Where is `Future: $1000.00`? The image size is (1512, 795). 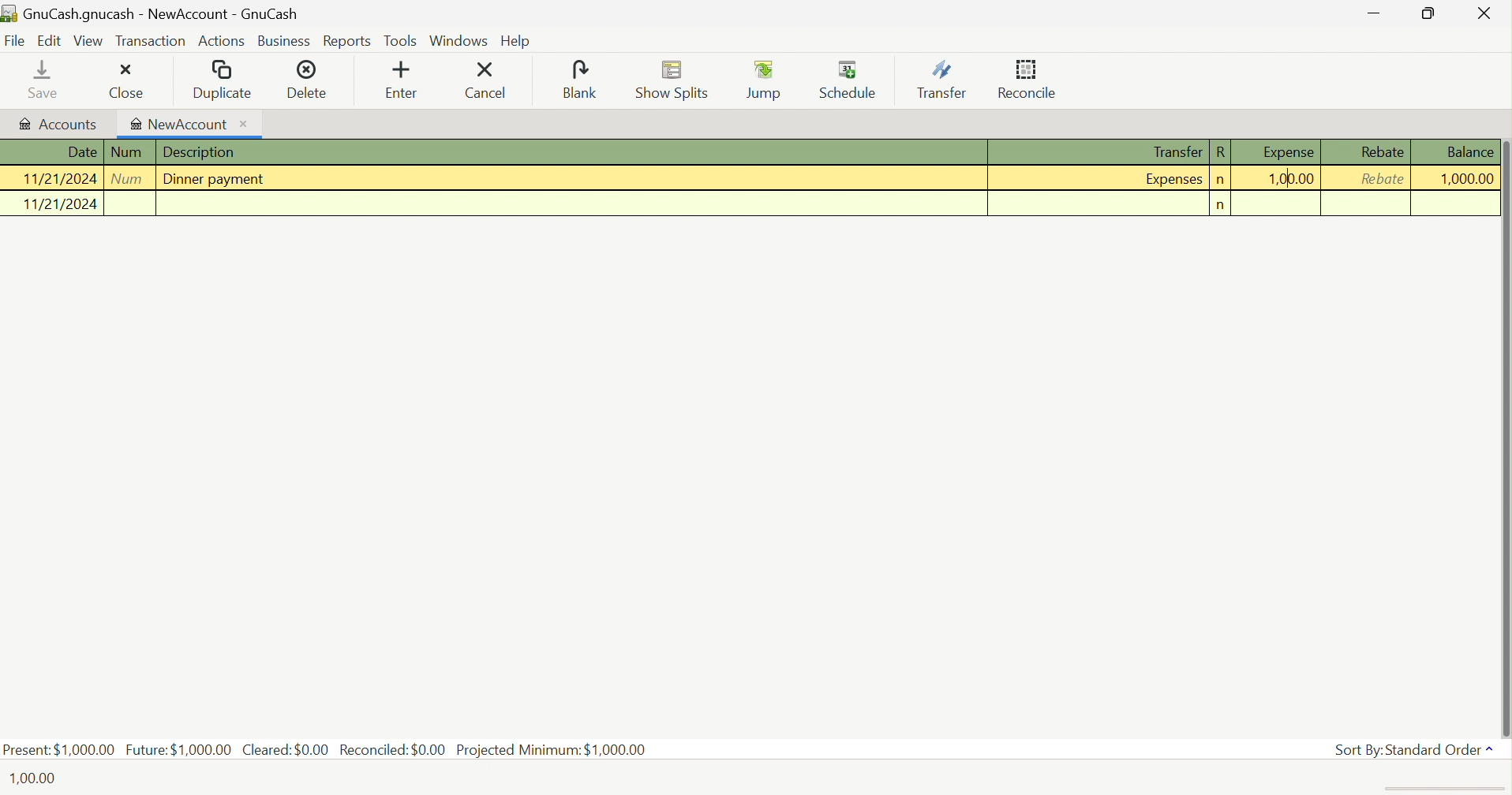 Future: $1000.00 is located at coordinates (178, 748).